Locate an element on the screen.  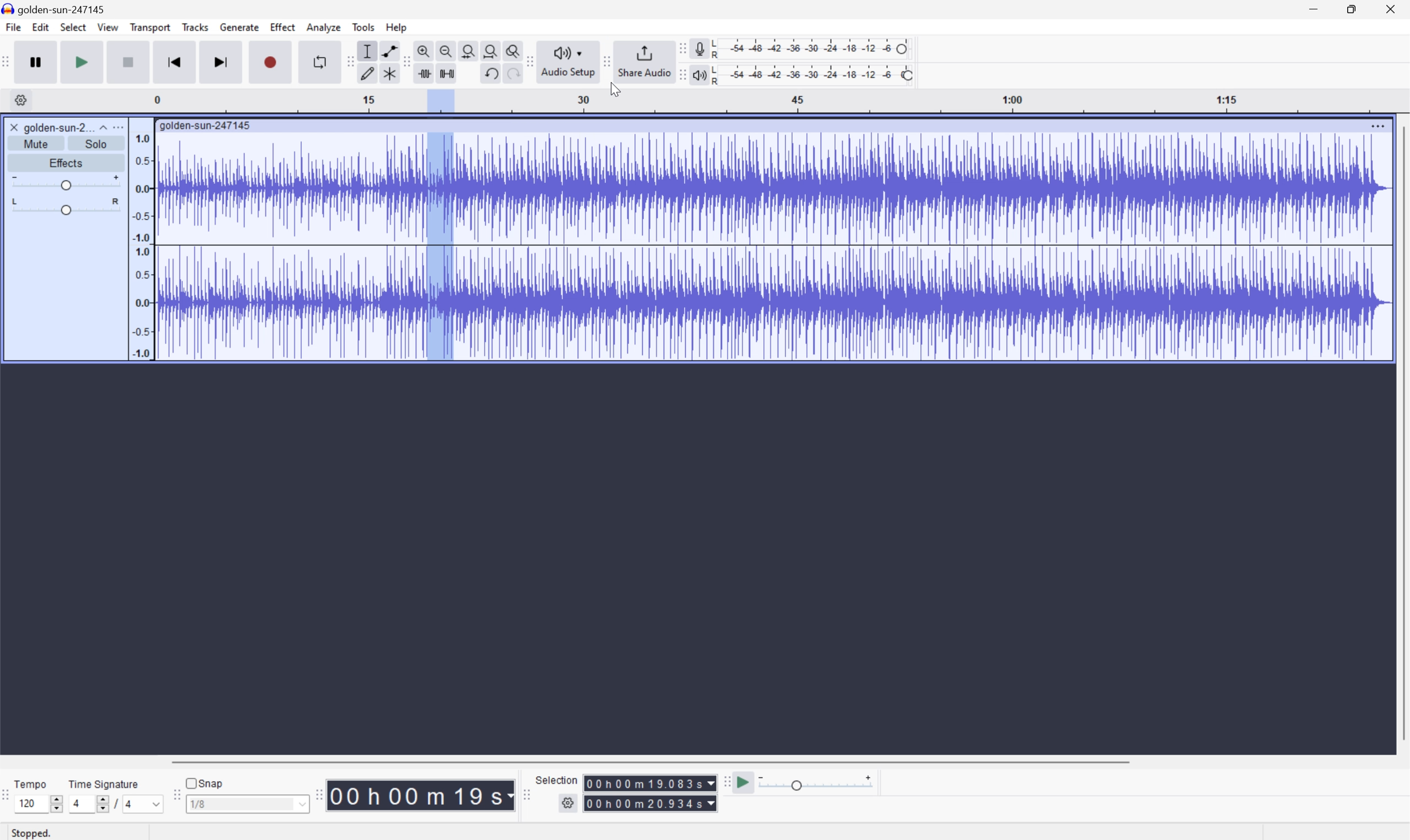
Slider is located at coordinates (96, 806).